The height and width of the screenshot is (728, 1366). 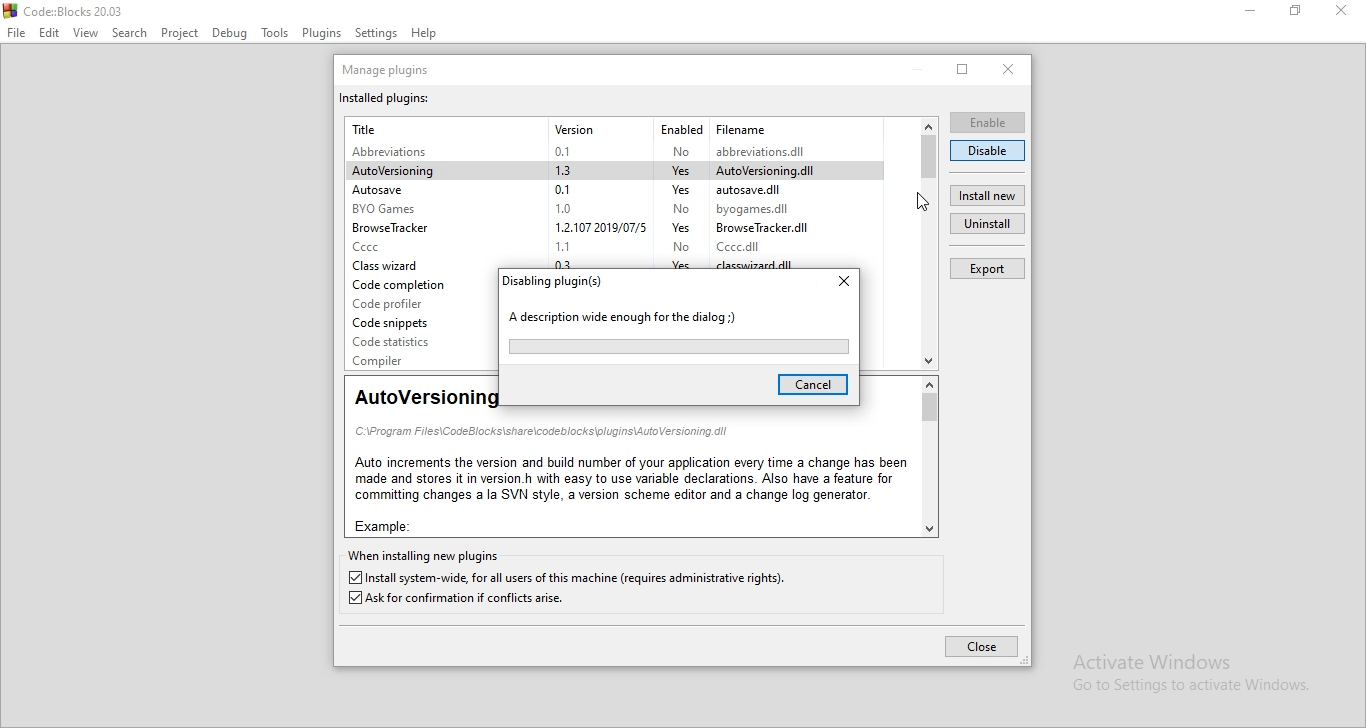 I want to click on A descriptive wide enough for dialog;), so click(x=628, y=319).